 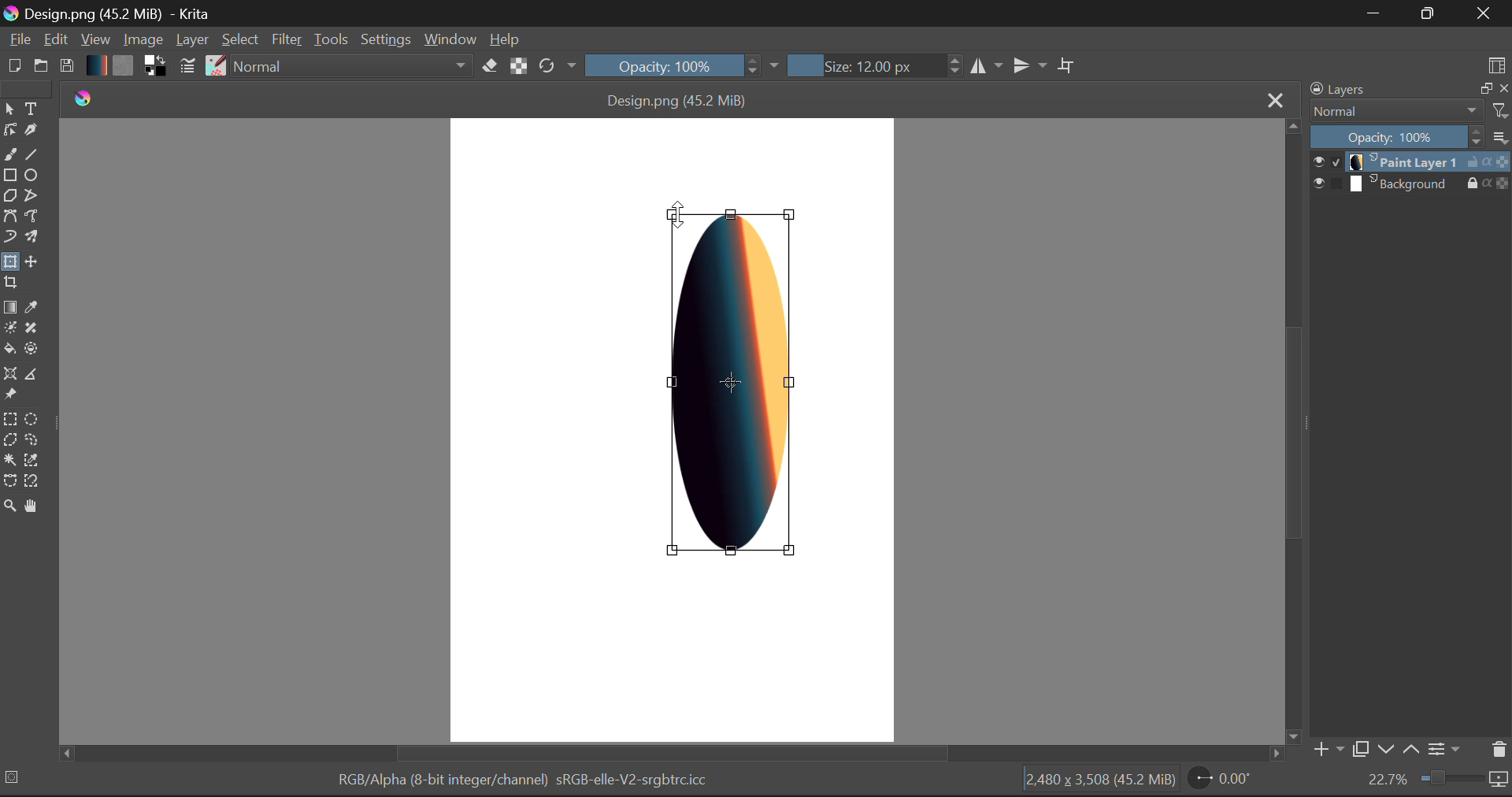 What do you see at coordinates (1487, 13) in the screenshot?
I see `Close` at bounding box center [1487, 13].